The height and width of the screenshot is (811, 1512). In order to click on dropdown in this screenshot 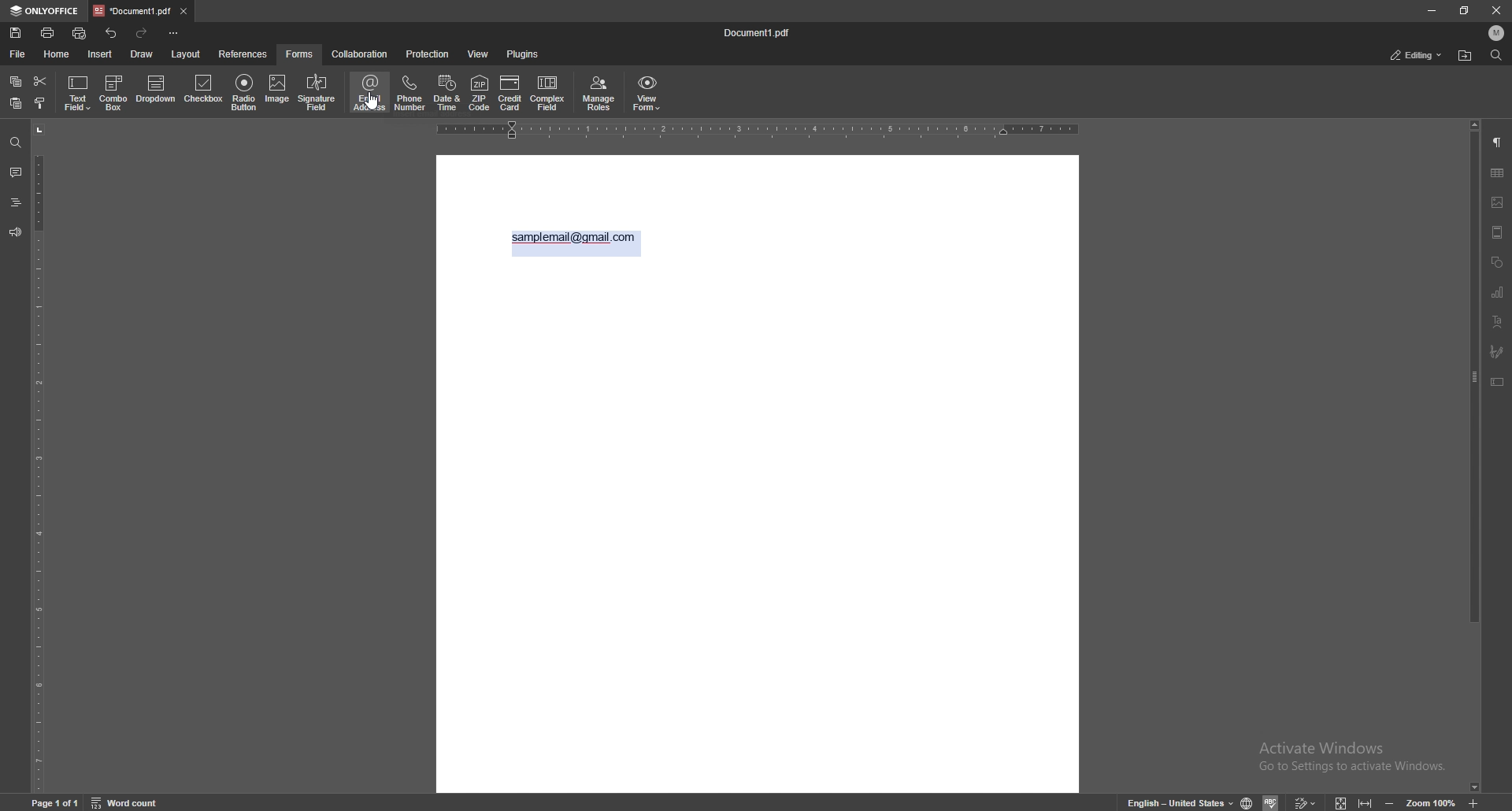, I will do `click(156, 91)`.